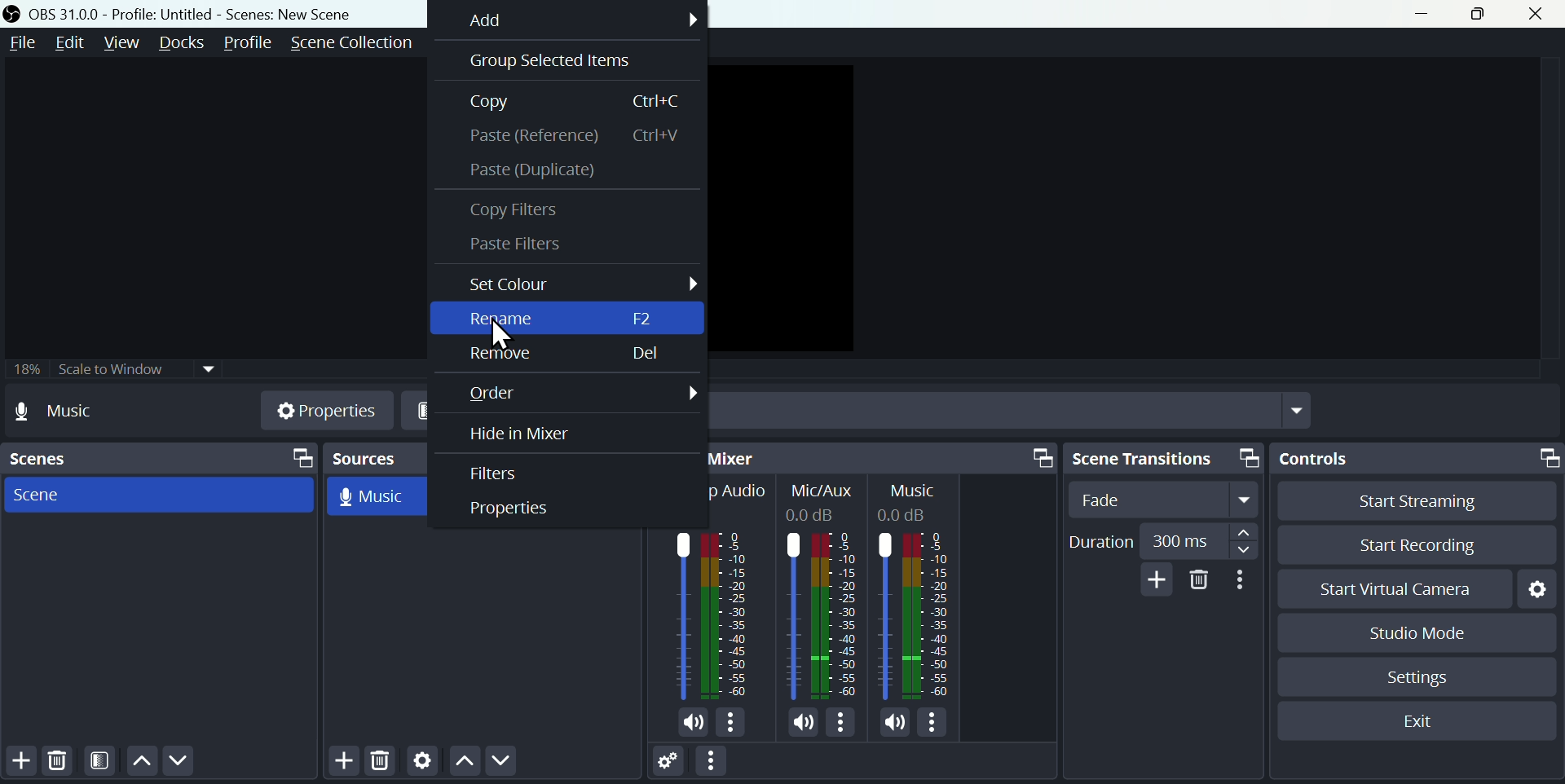 This screenshot has height=784, width=1565. I want to click on Properties, so click(322, 411).